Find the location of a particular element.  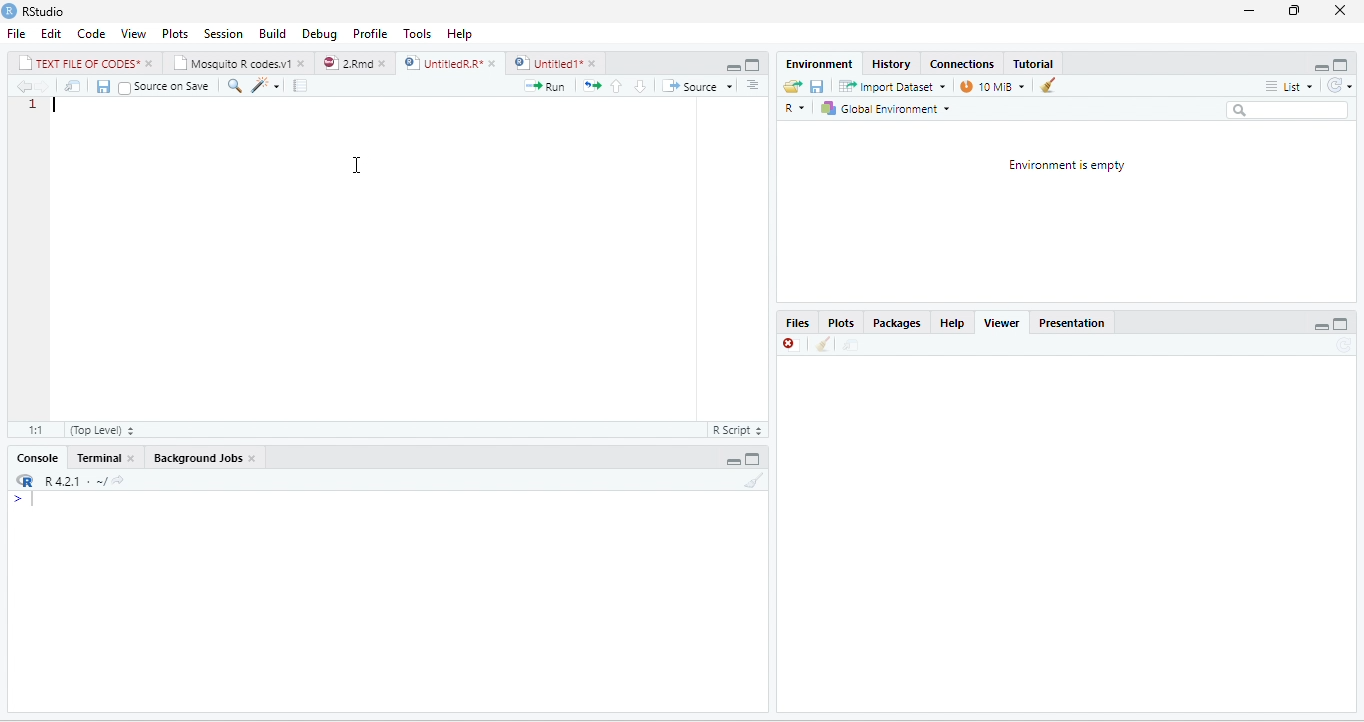

checkbox is located at coordinates (124, 87).